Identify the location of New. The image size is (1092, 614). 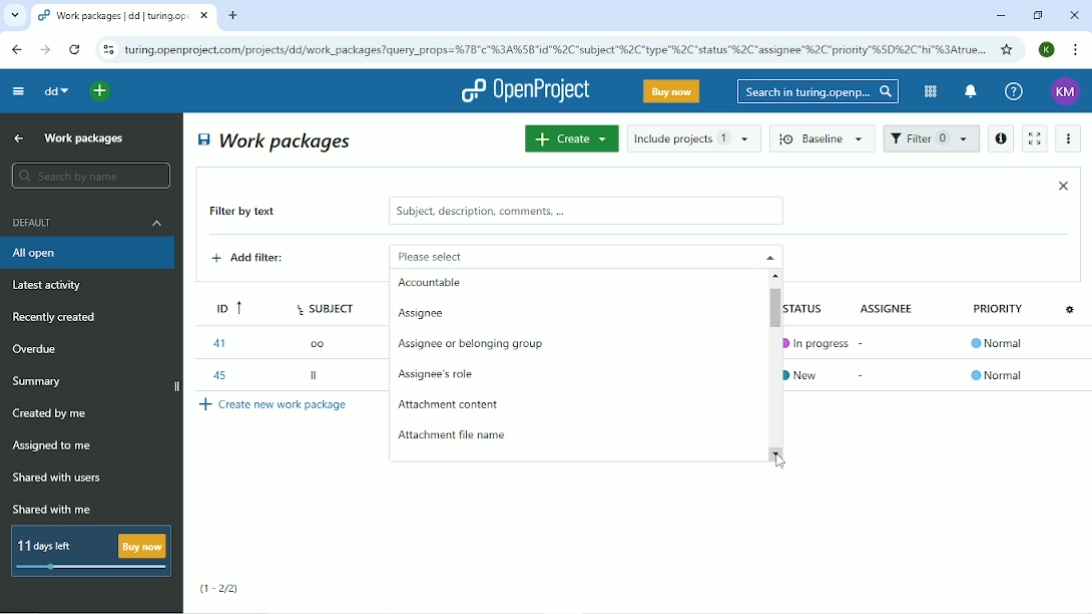
(808, 373).